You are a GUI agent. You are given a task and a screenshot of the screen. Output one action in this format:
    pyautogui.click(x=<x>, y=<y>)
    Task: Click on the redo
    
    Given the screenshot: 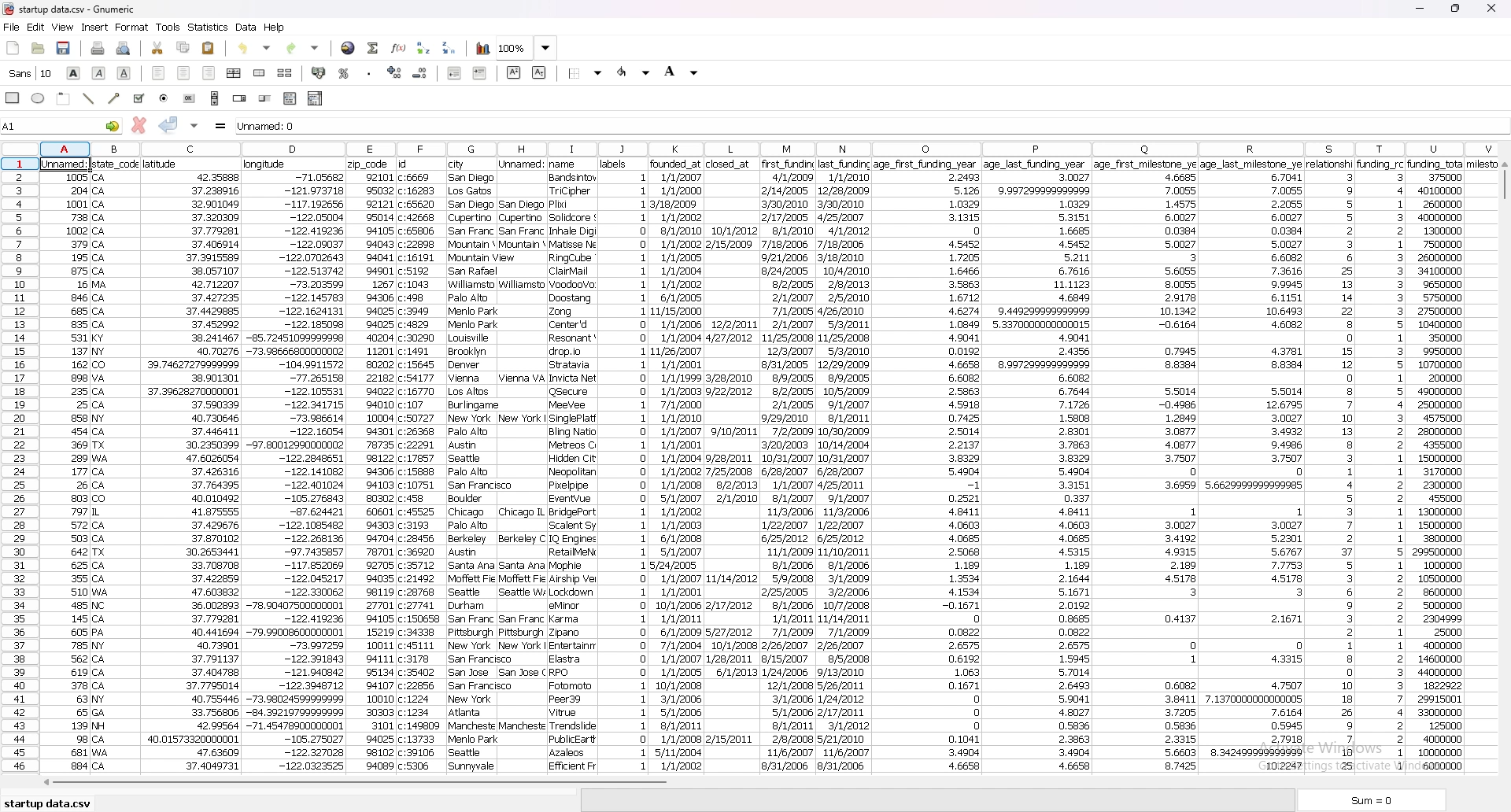 What is the action you would take?
    pyautogui.click(x=305, y=49)
    